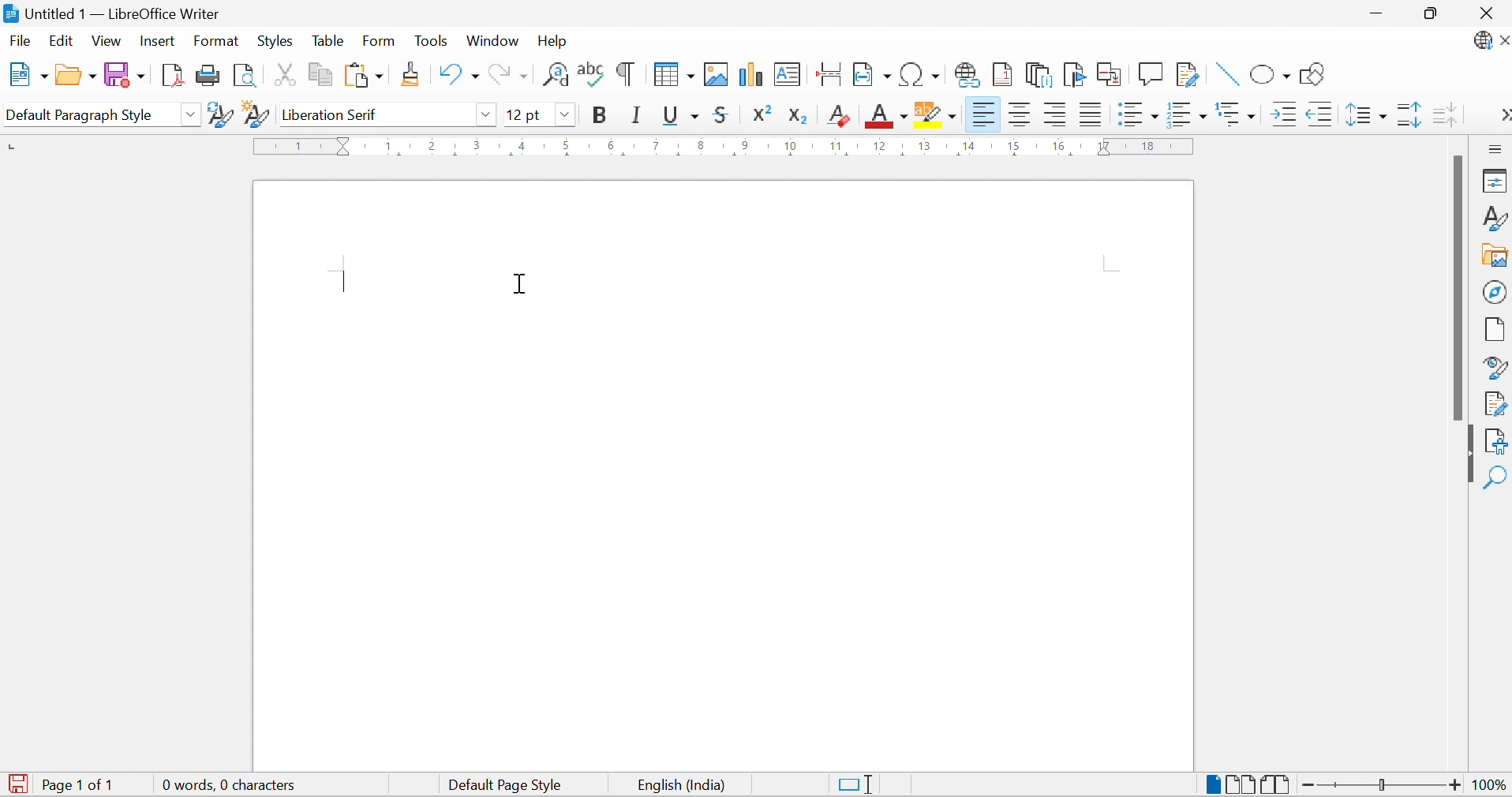 The width and height of the screenshot is (1512, 797). I want to click on Cursor, so click(518, 287).